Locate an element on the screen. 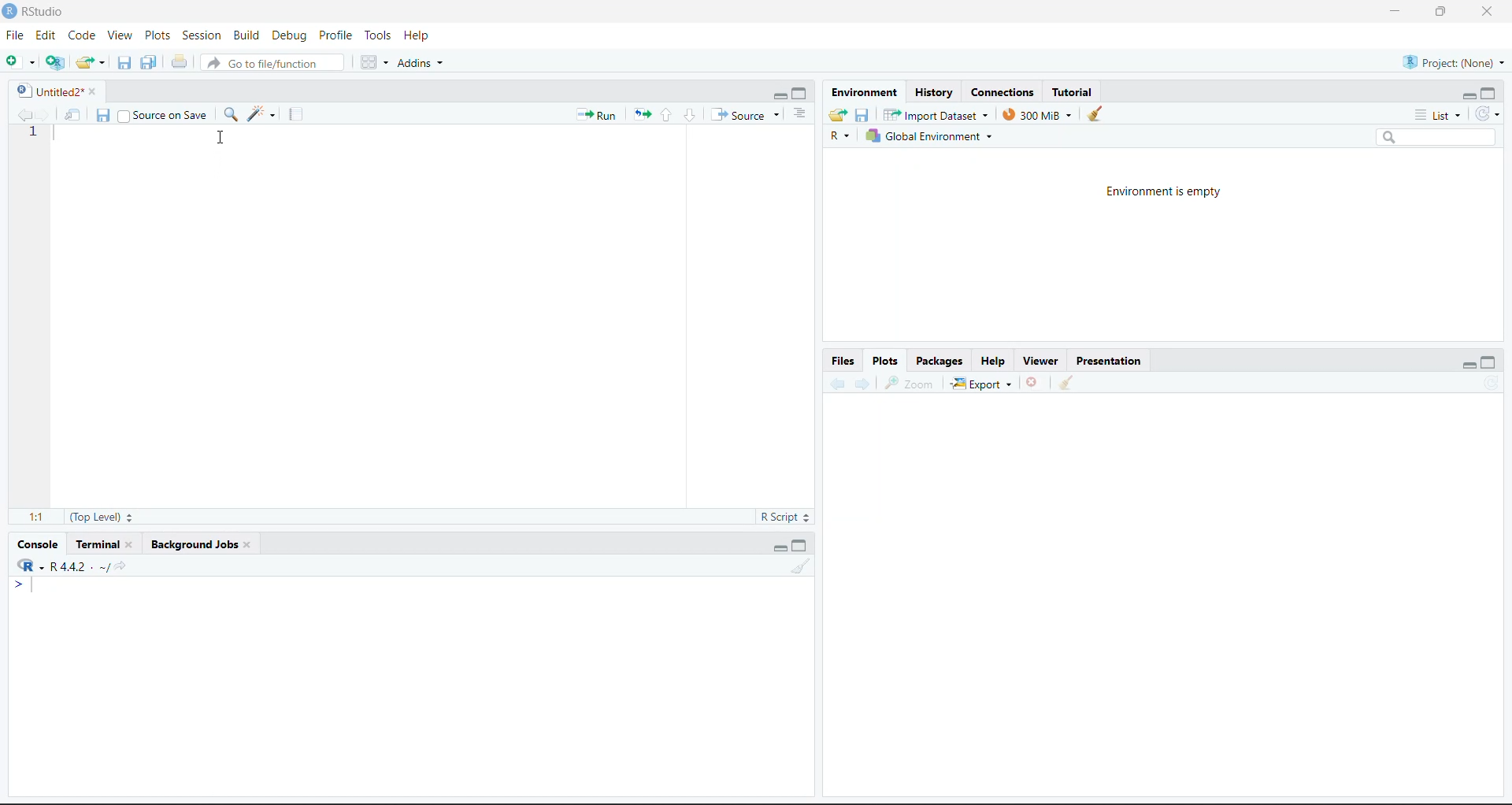 The image size is (1512, 805). find /replace is located at coordinates (229, 114).